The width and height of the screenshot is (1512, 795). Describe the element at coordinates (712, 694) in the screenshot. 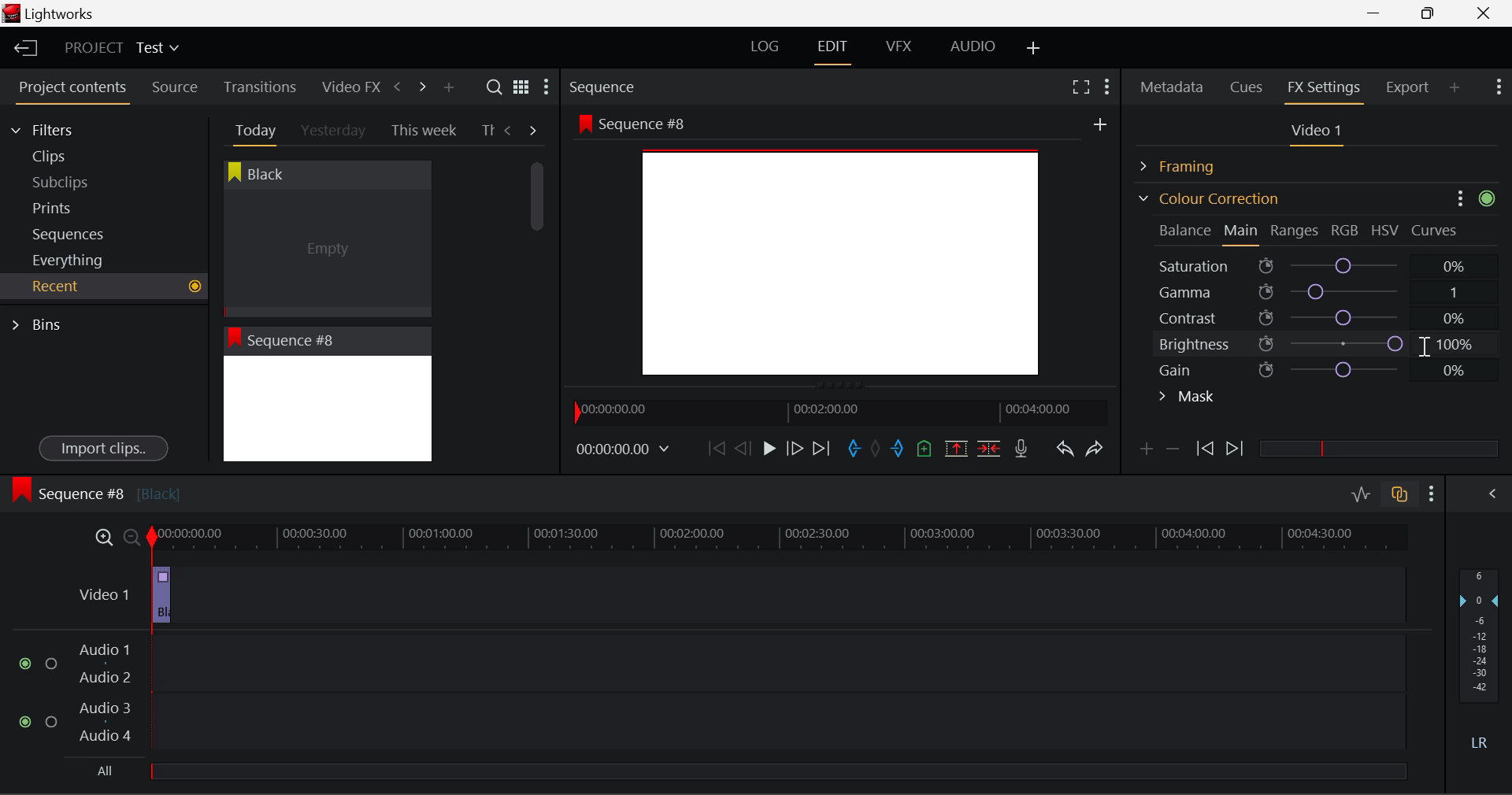

I see `Audio Input Fields` at that location.